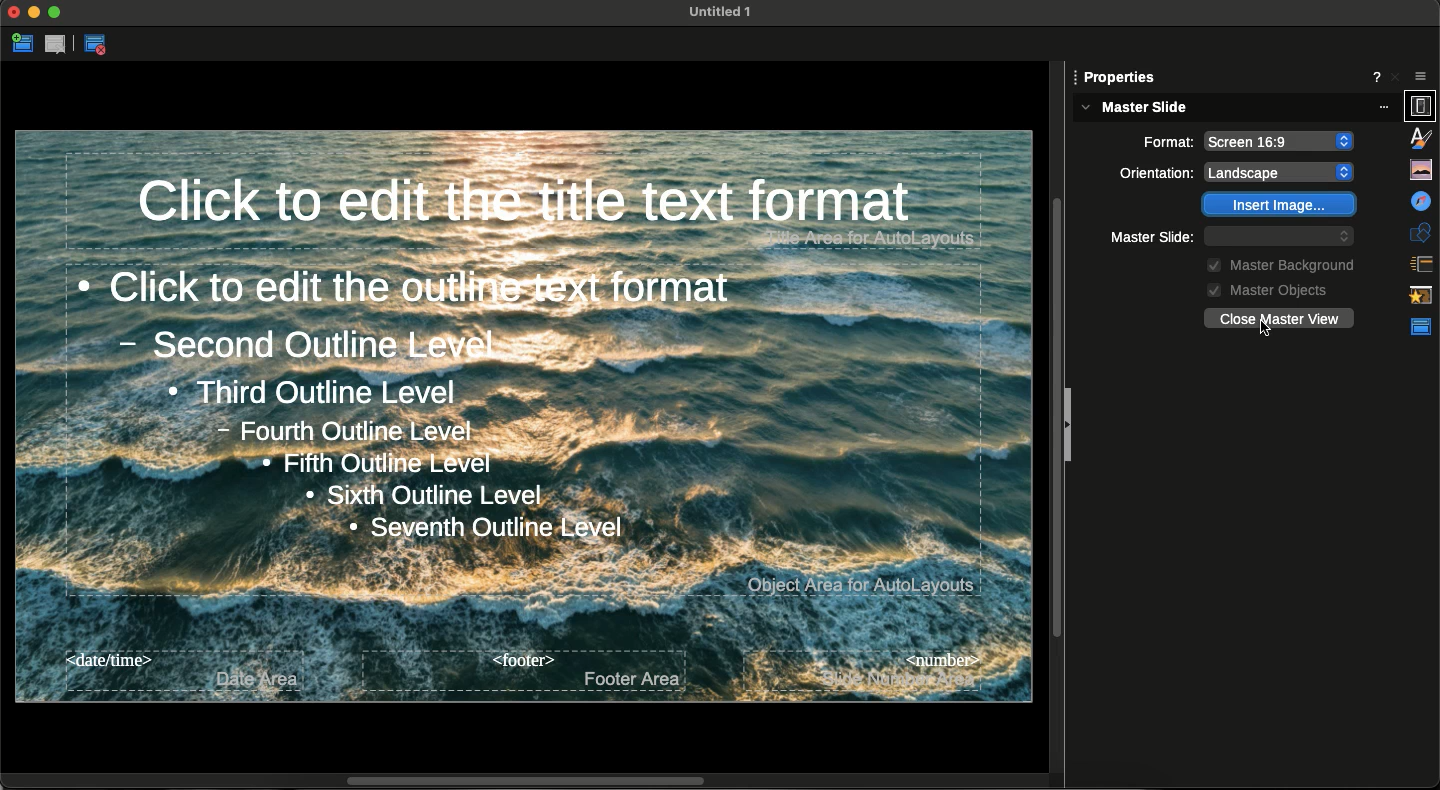 Image resolution: width=1440 pixels, height=790 pixels. What do you see at coordinates (1157, 173) in the screenshot?
I see `Background` at bounding box center [1157, 173].